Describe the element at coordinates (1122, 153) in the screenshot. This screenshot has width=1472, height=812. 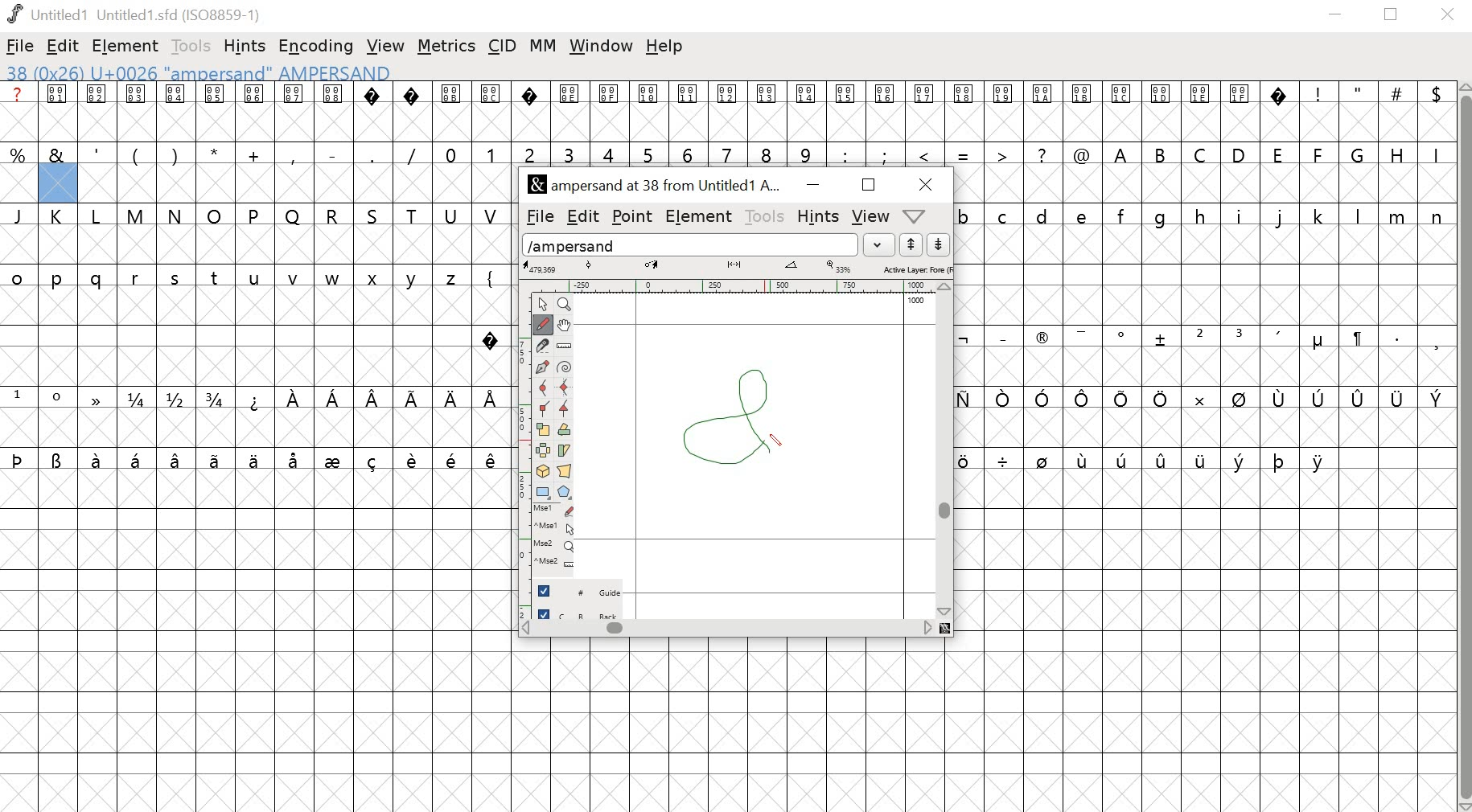
I see `A` at that location.